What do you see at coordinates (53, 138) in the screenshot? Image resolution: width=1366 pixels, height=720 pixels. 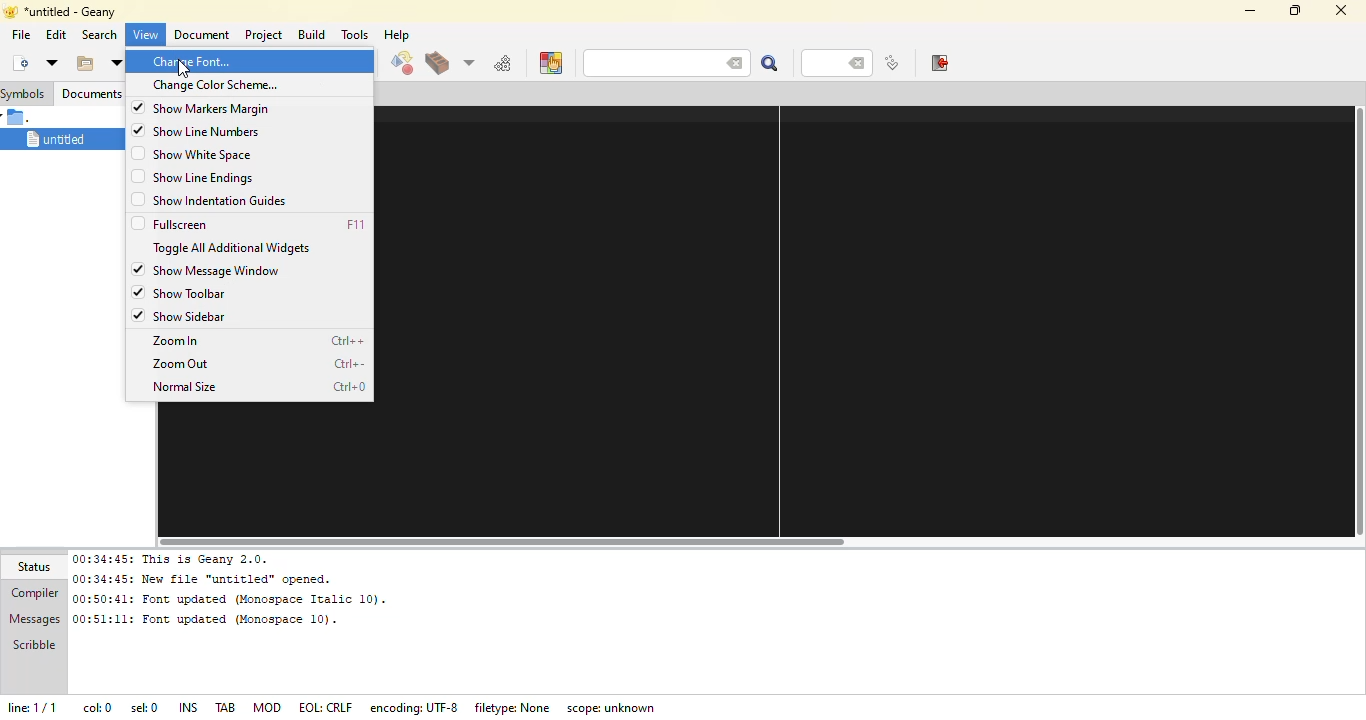 I see `untitled` at bounding box center [53, 138].